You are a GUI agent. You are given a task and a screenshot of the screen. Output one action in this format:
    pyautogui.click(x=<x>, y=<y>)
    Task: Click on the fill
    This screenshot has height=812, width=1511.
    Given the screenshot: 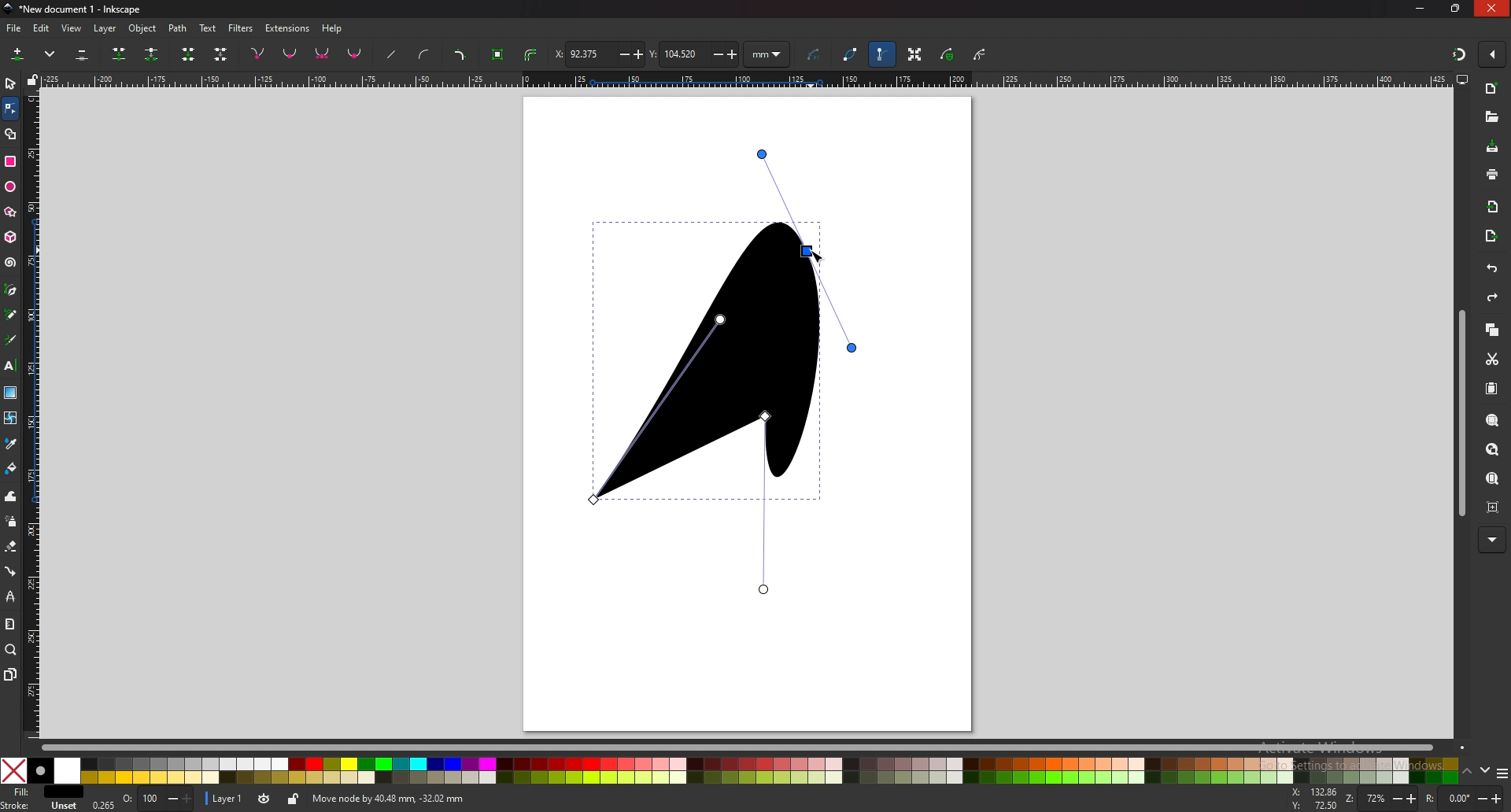 What is the action you would take?
    pyautogui.click(x=40, y=792)
    